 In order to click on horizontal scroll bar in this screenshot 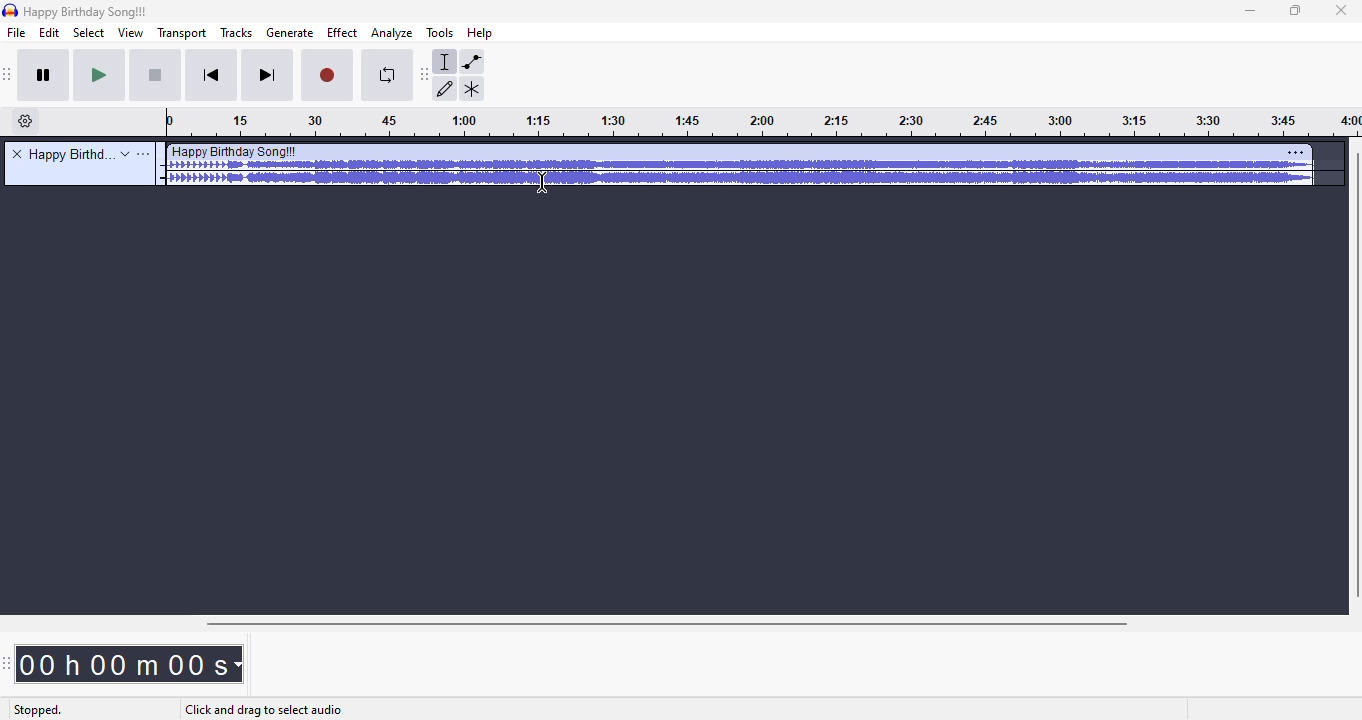, I will do `click(669, 624)`.